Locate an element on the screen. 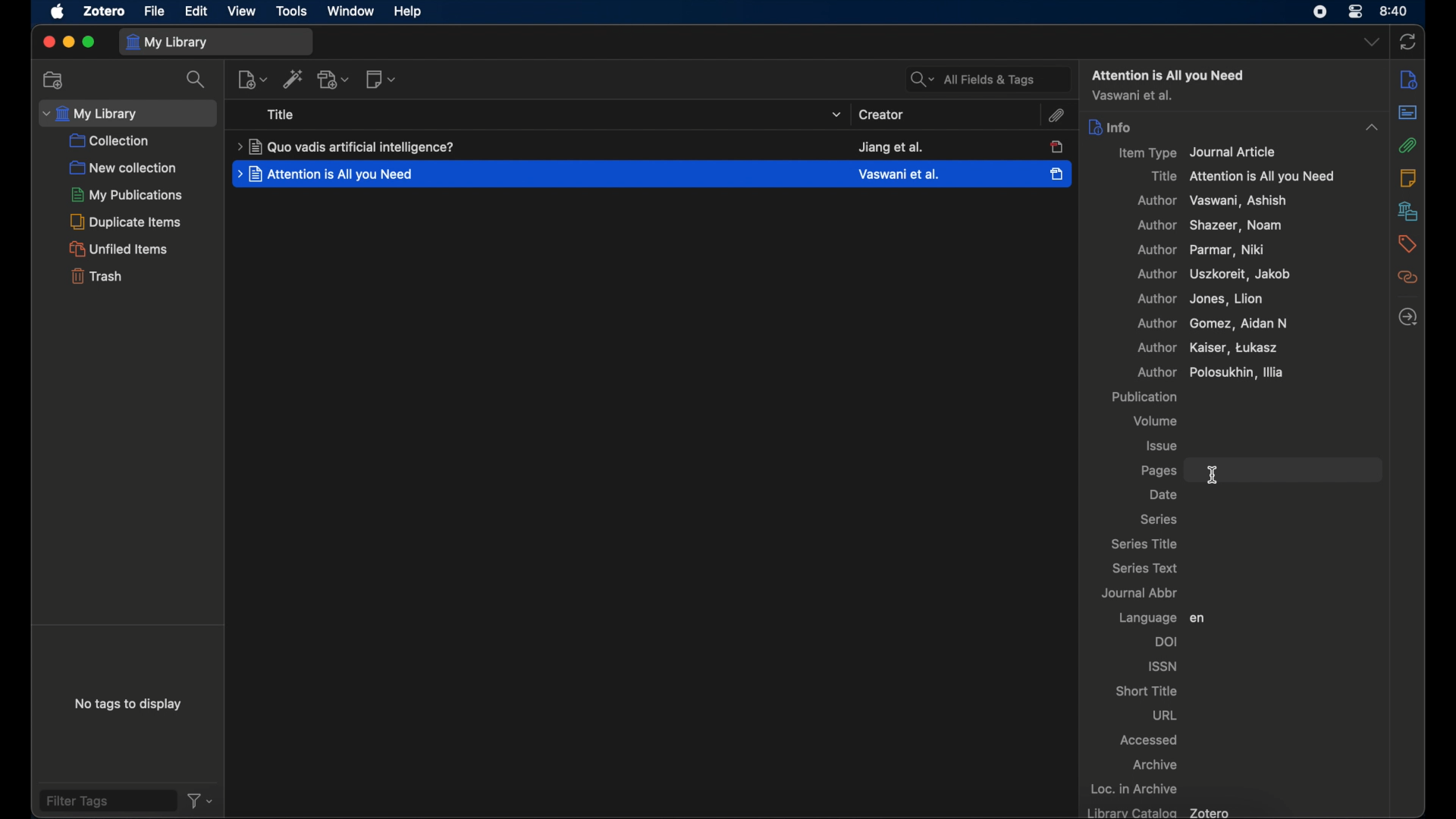  author kaiser, tukasz is located at coordinates (1207, 347).